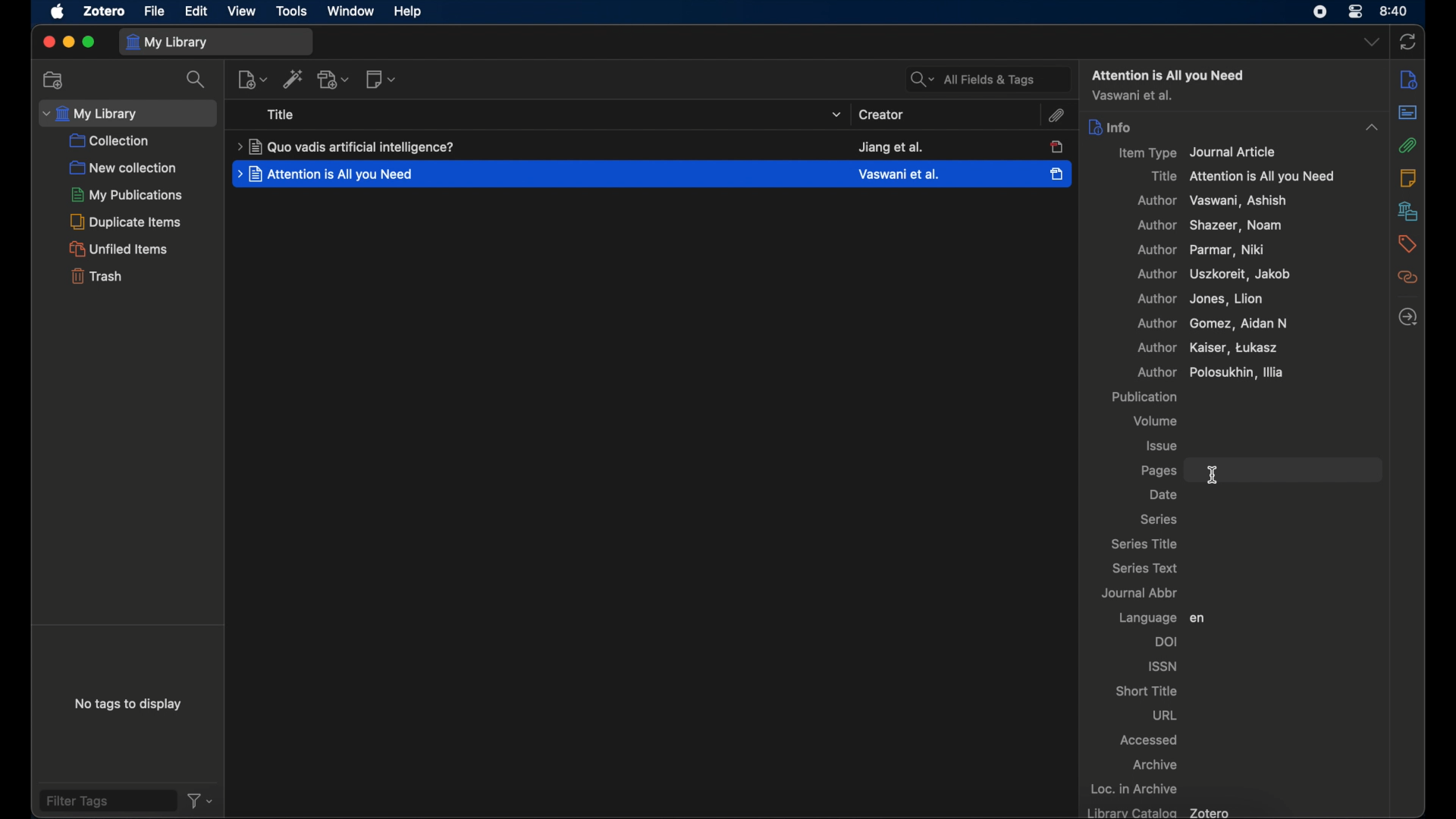  Describe the element at coordinates (154, 11) in the screenshot. I see `file` at that location.